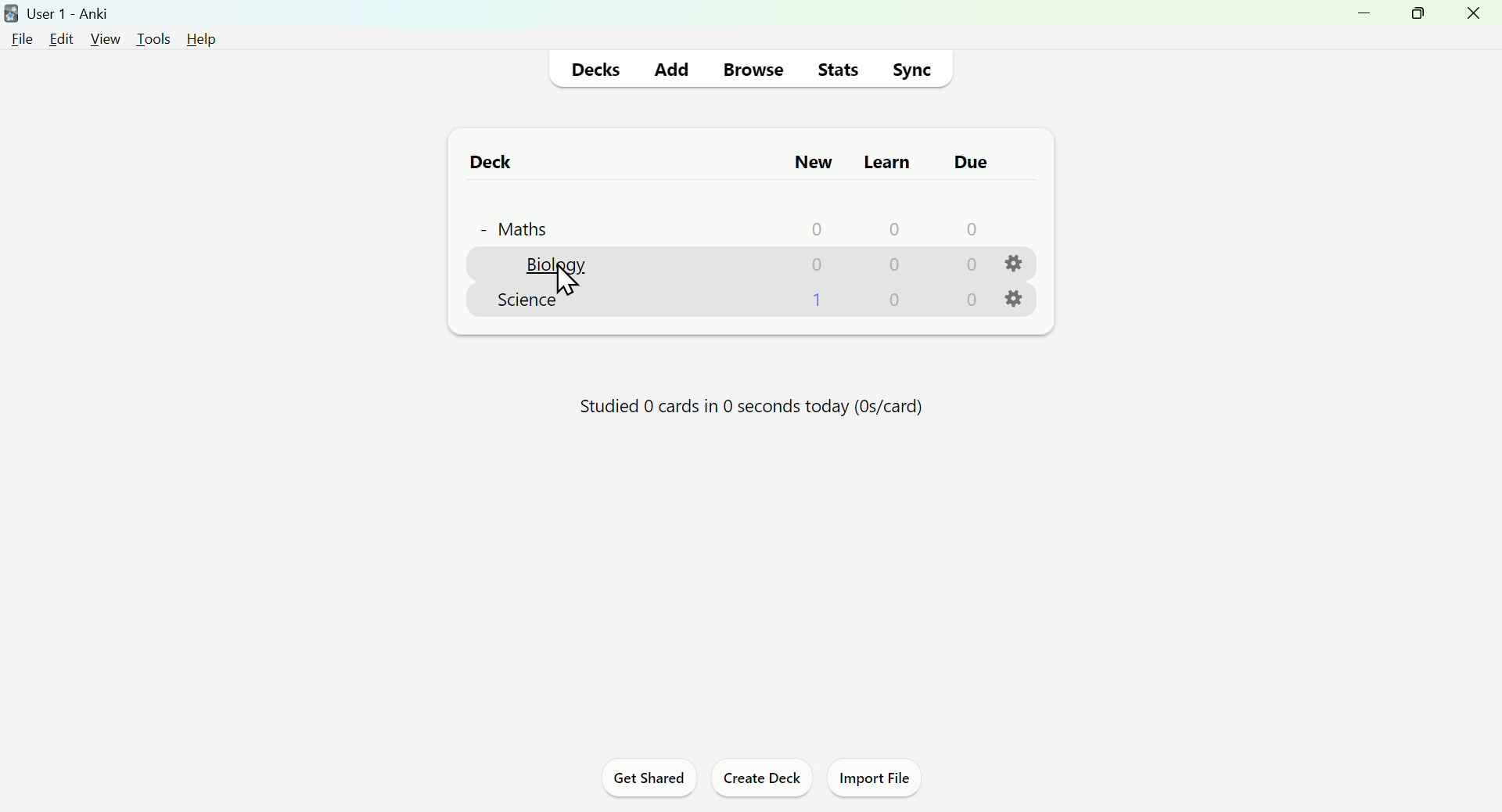 The image size is (1502, 812). I want to click on New, so click(814, 163).